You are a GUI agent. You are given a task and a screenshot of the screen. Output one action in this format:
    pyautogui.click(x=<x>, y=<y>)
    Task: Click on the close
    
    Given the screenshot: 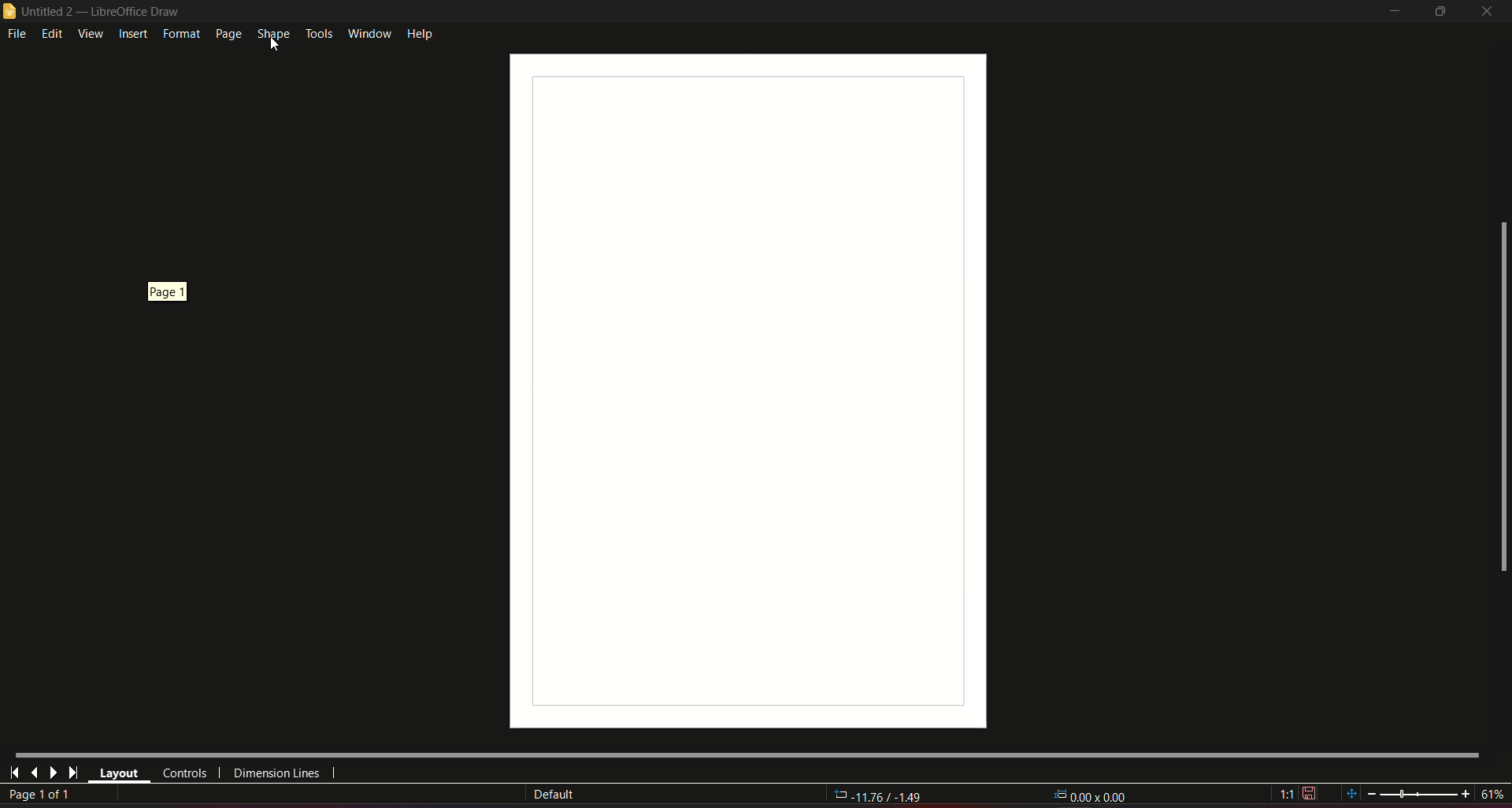 What is the action you would take?
    pyautogui.click(x=1488, y=11)
    